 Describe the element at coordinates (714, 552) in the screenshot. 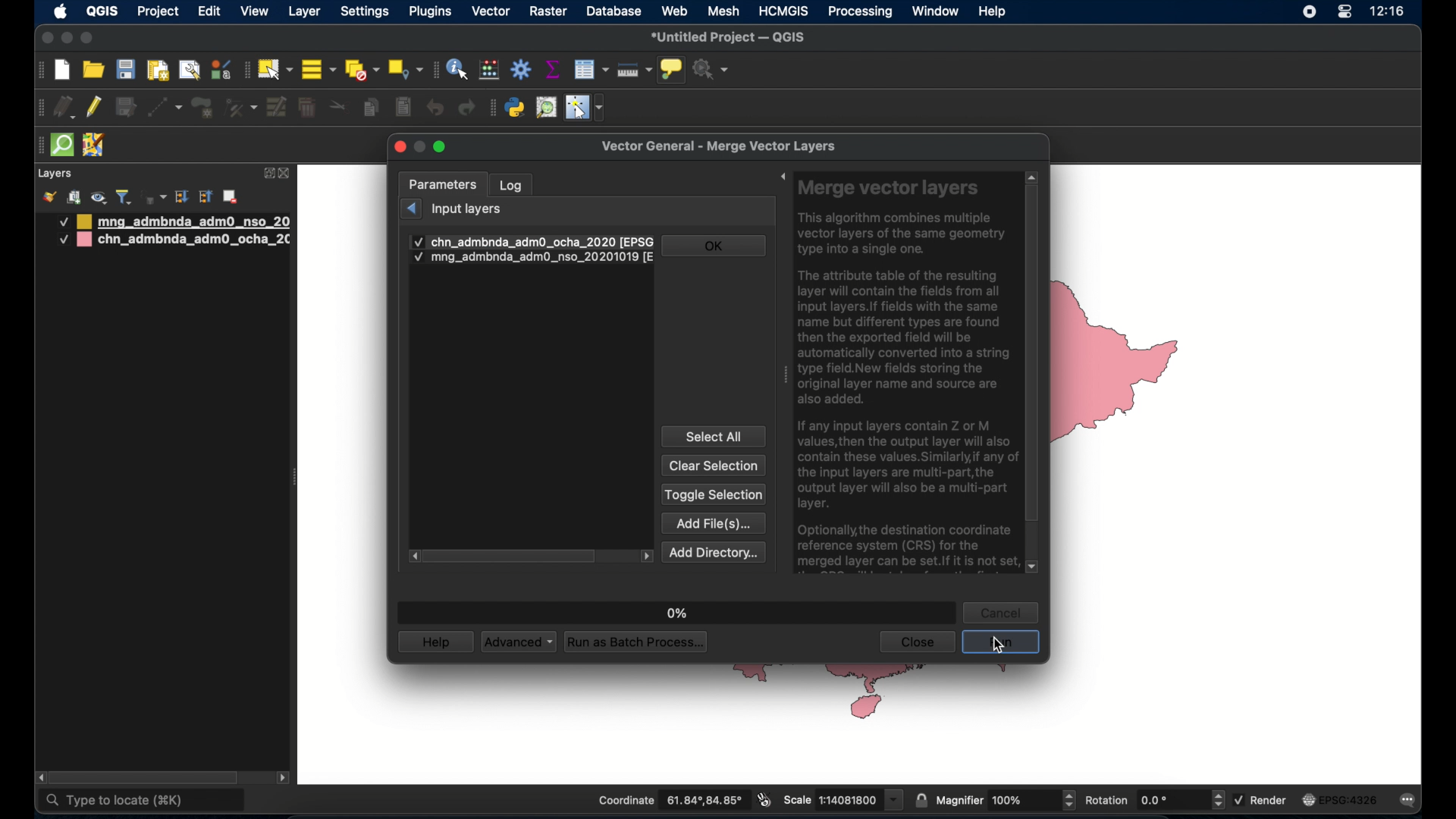

I see `add directory` at that location.